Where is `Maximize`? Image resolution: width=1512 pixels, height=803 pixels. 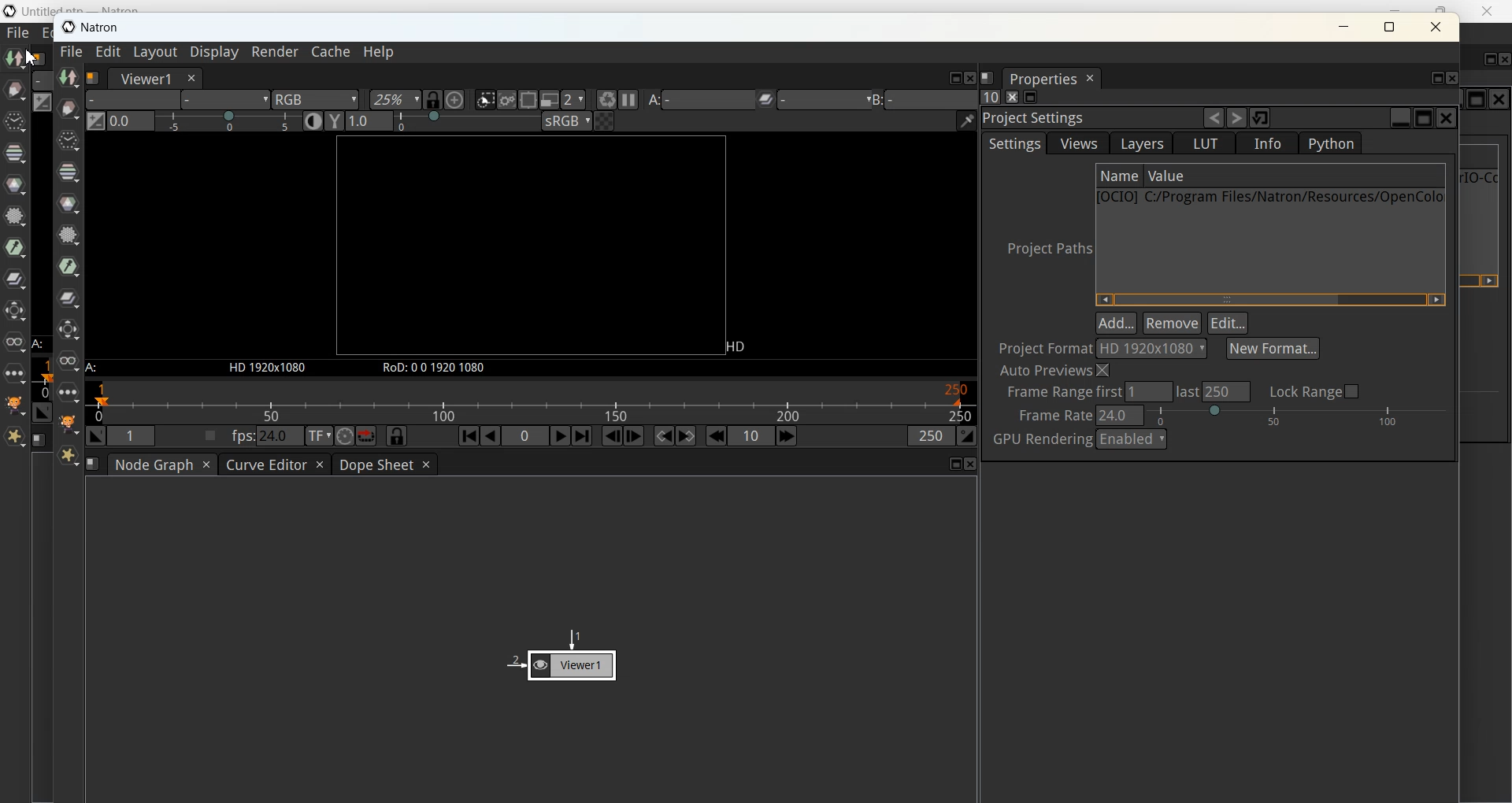 Maximize is located at coordinates (1389, 26).